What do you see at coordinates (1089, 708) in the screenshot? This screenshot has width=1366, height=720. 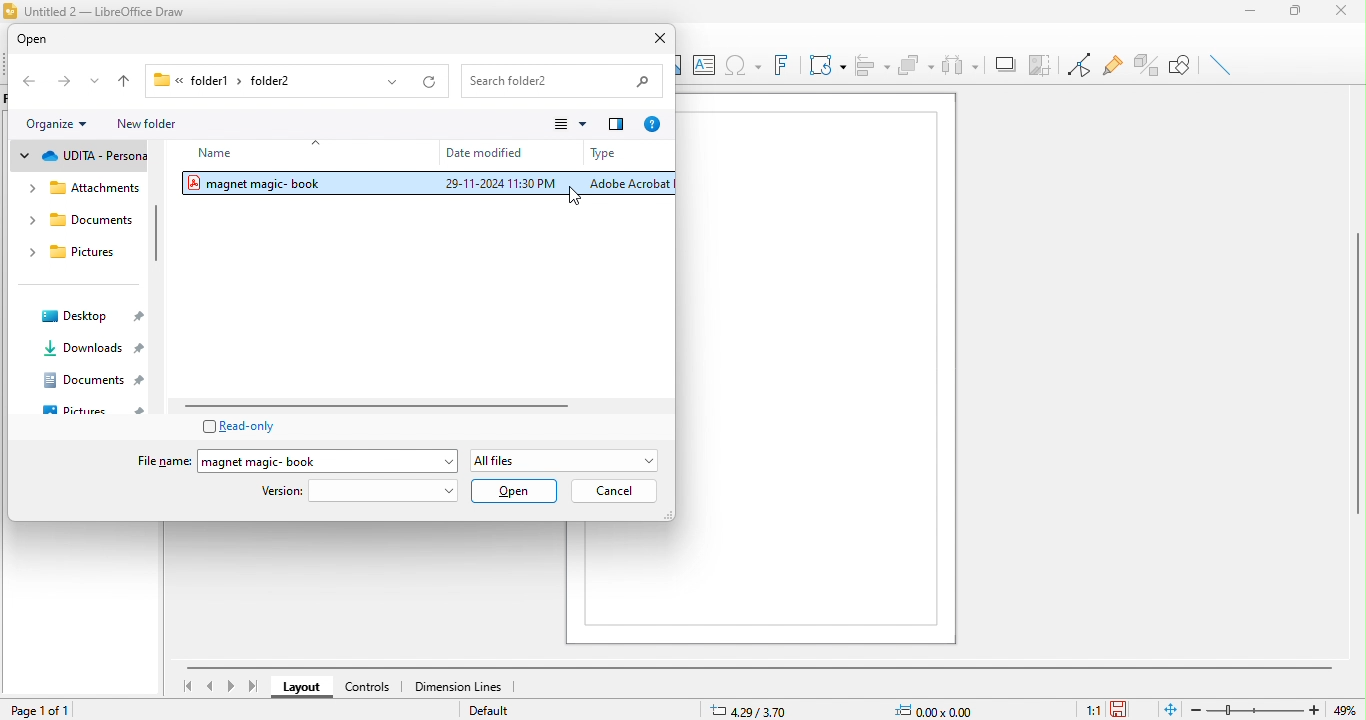 I see `1:1` at bounding box center [1089, 708].